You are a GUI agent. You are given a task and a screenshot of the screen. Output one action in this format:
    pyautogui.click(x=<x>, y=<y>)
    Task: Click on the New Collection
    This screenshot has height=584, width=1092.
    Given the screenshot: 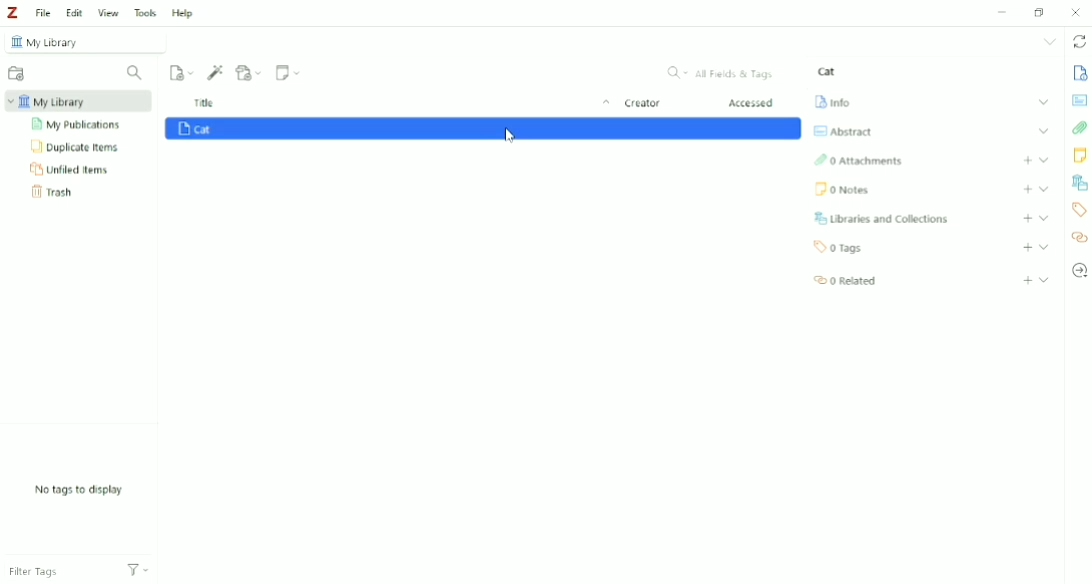 What is the action you would take?
    pyautogui.click(x=17, y=75)
    